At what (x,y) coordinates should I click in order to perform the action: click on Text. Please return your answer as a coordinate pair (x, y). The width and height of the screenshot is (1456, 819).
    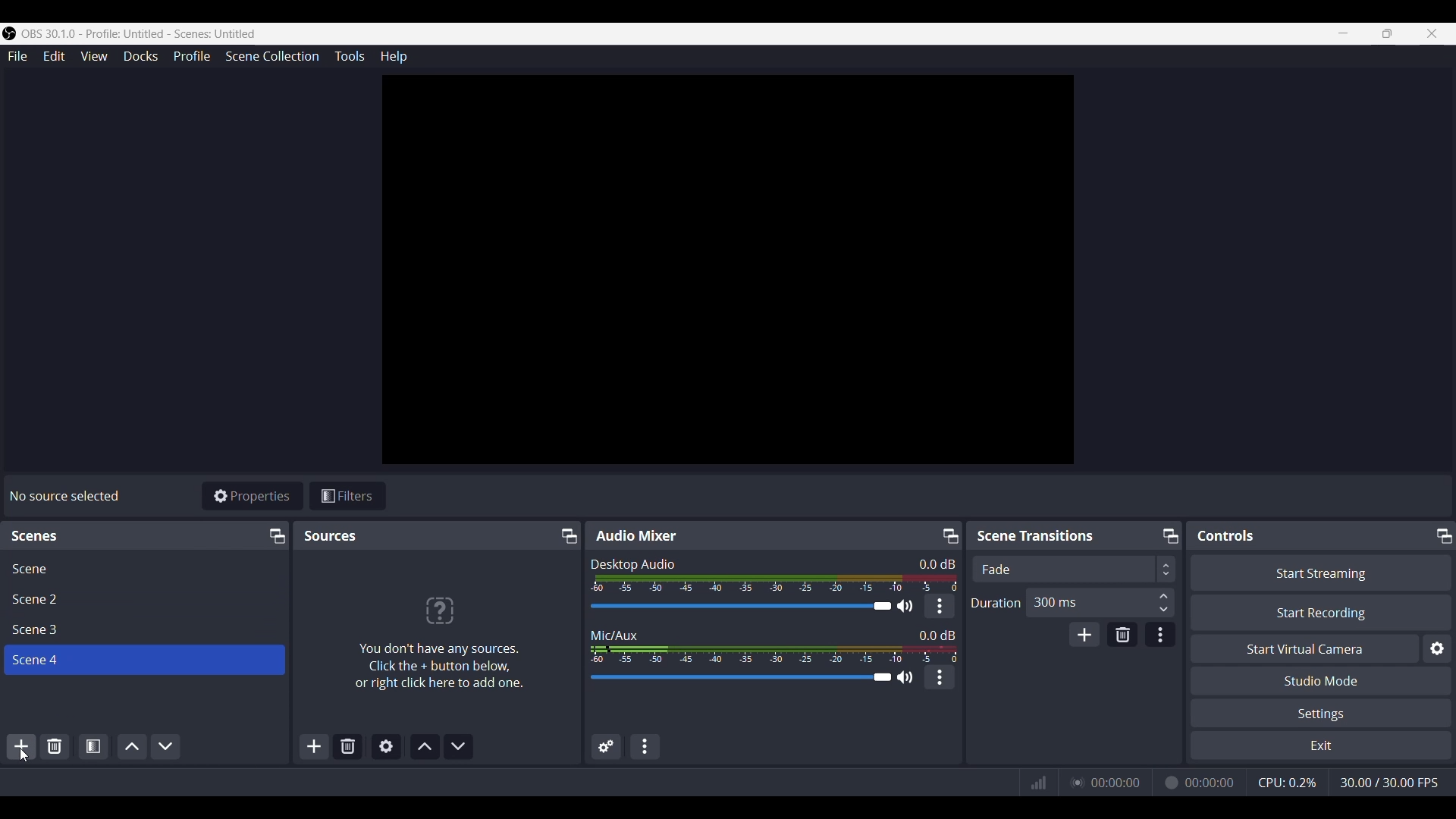
    Looking at the image, I should click on (64, 497).